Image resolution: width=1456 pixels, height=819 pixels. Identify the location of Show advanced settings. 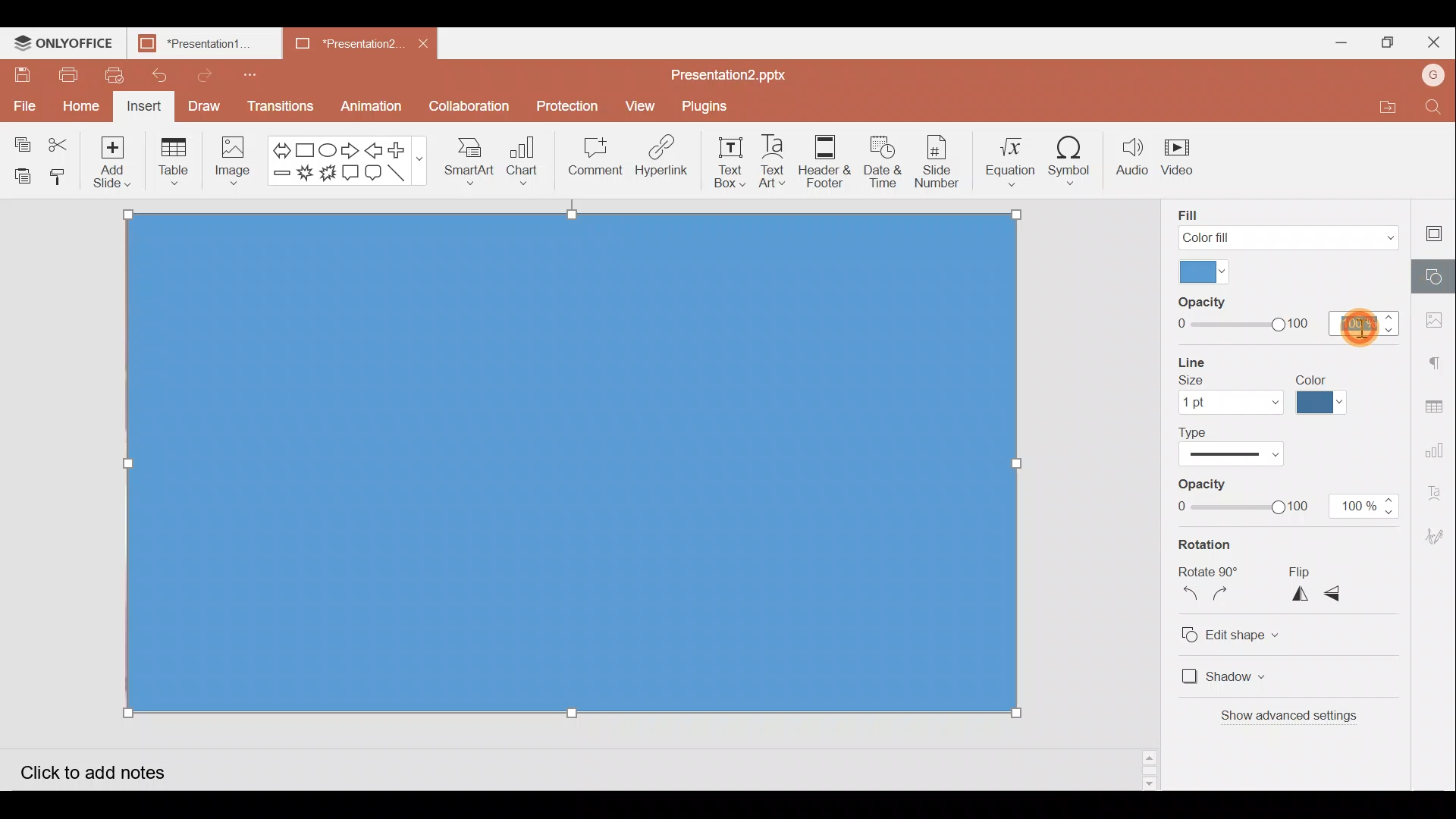
(1295, 718).